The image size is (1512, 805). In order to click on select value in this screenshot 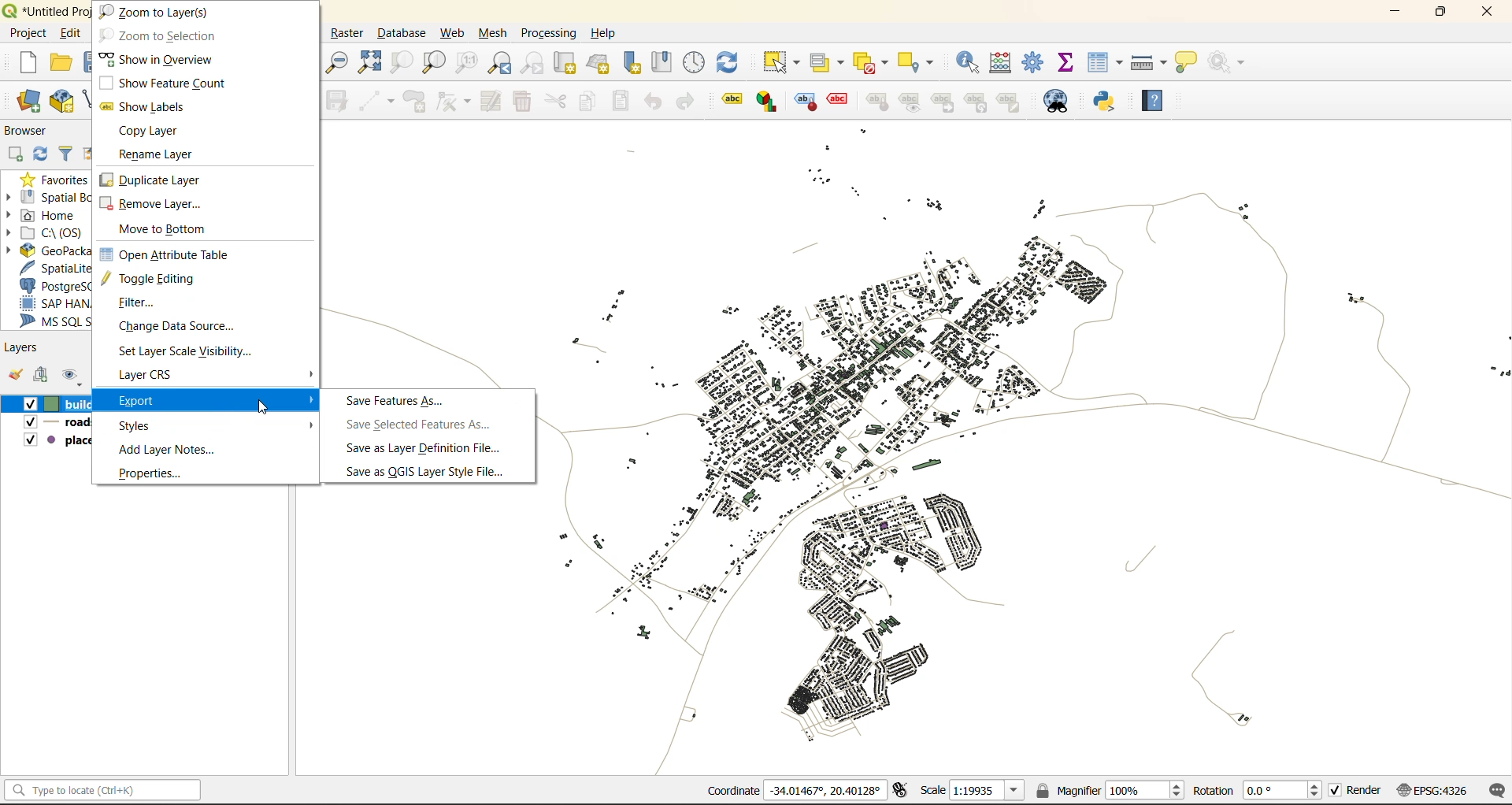, I will do `click(828, 62)`.